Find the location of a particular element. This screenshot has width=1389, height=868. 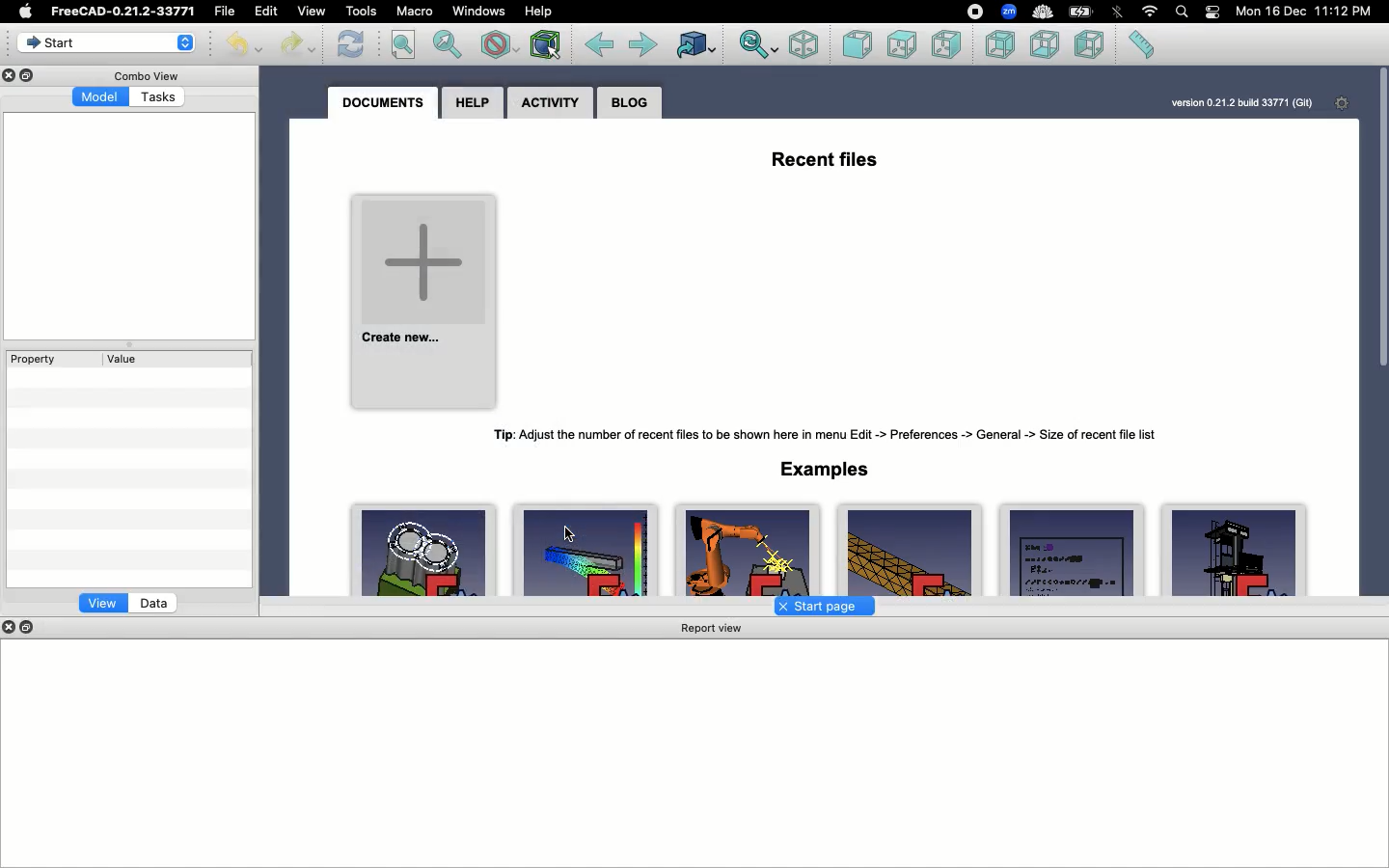

View is located at coordinates (103, 605).